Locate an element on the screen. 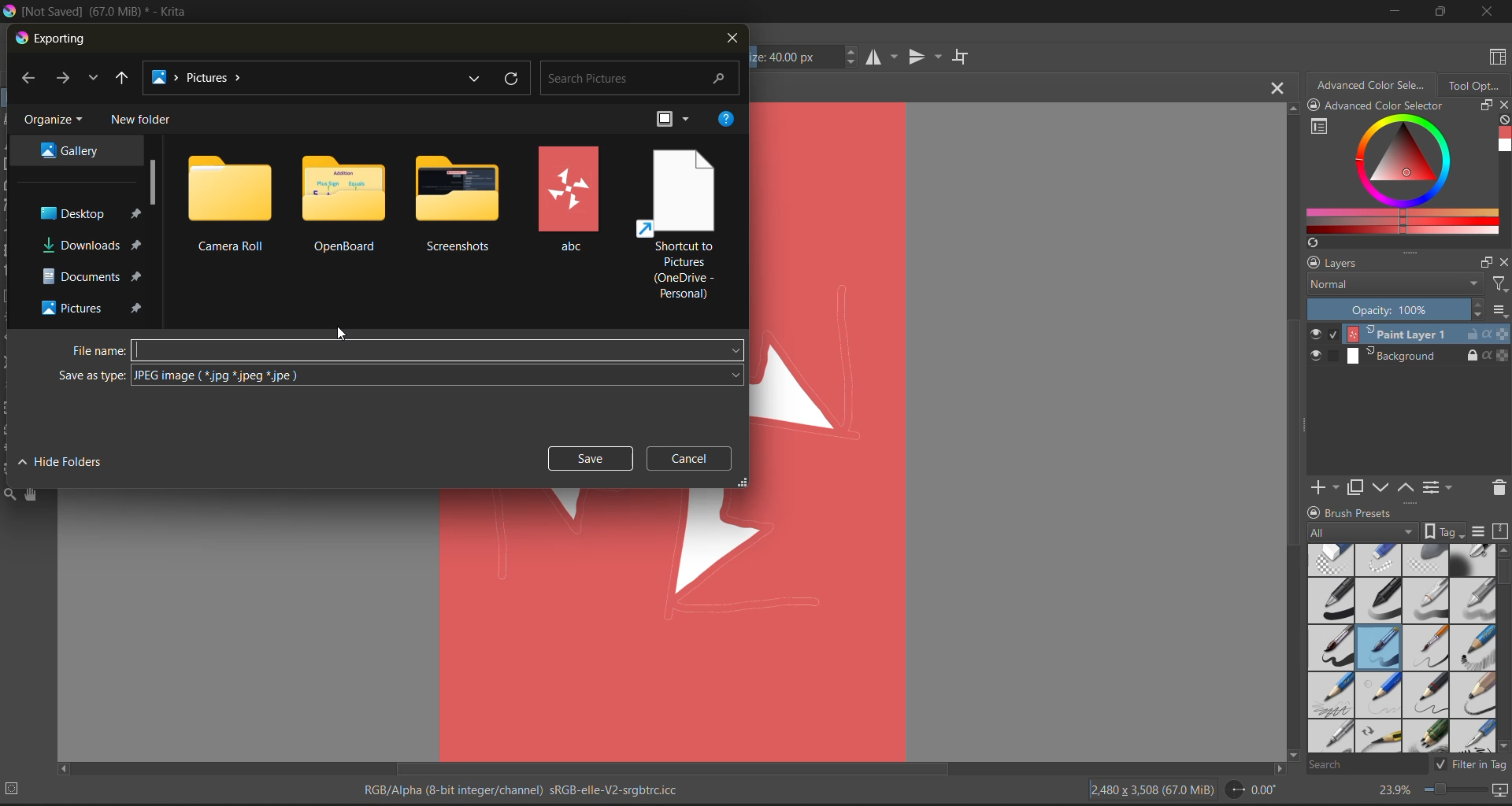 The width and height of the screenshot is (1512, 806). float docker is located at coordinates (1486, 106).